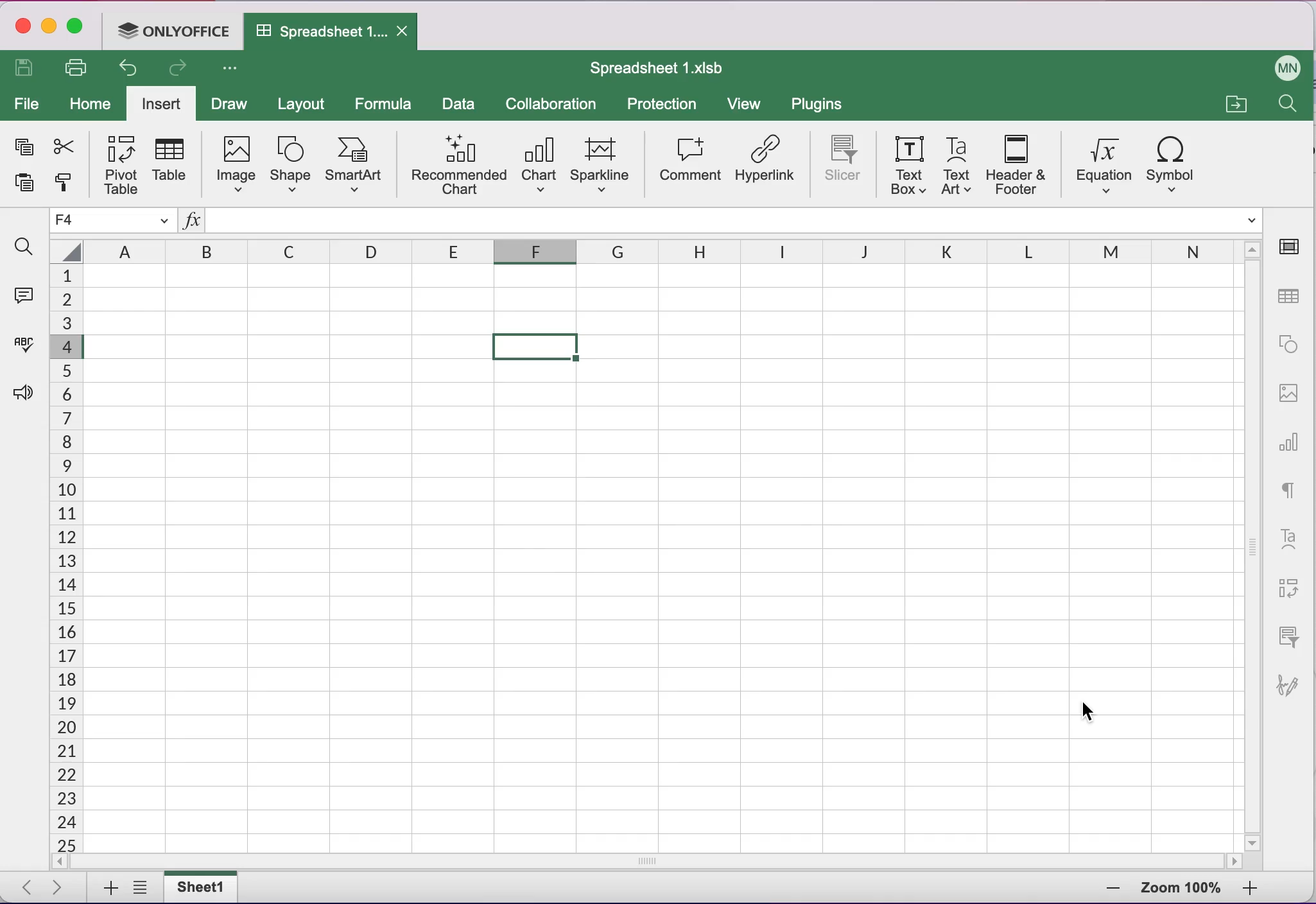  What do you see at coordinates (26, 347) in the screenshot?
I see `spell checking` at bounding box center [26, 347].